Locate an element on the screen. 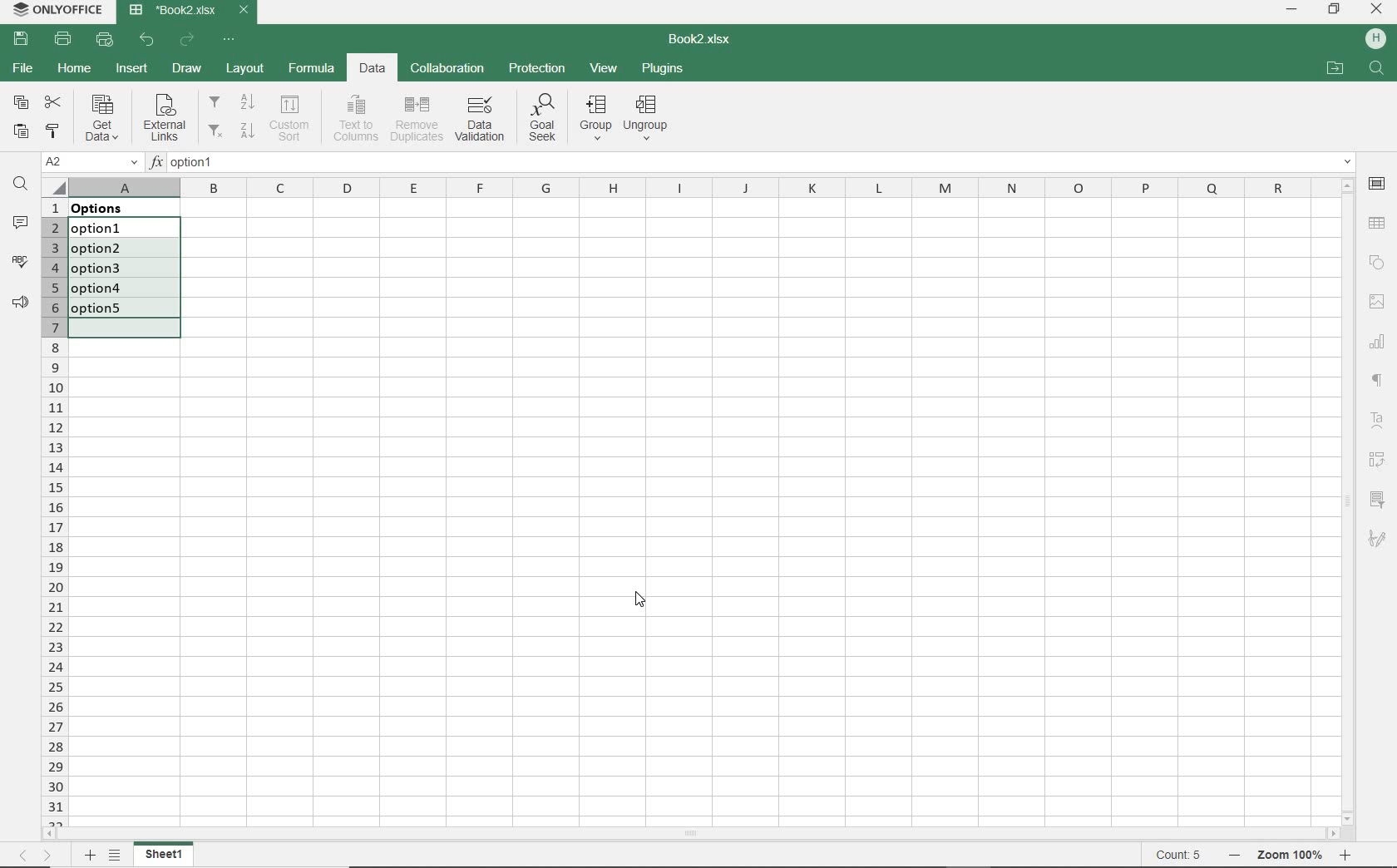  COUNT:5 is located at coordinates (1178, 856).